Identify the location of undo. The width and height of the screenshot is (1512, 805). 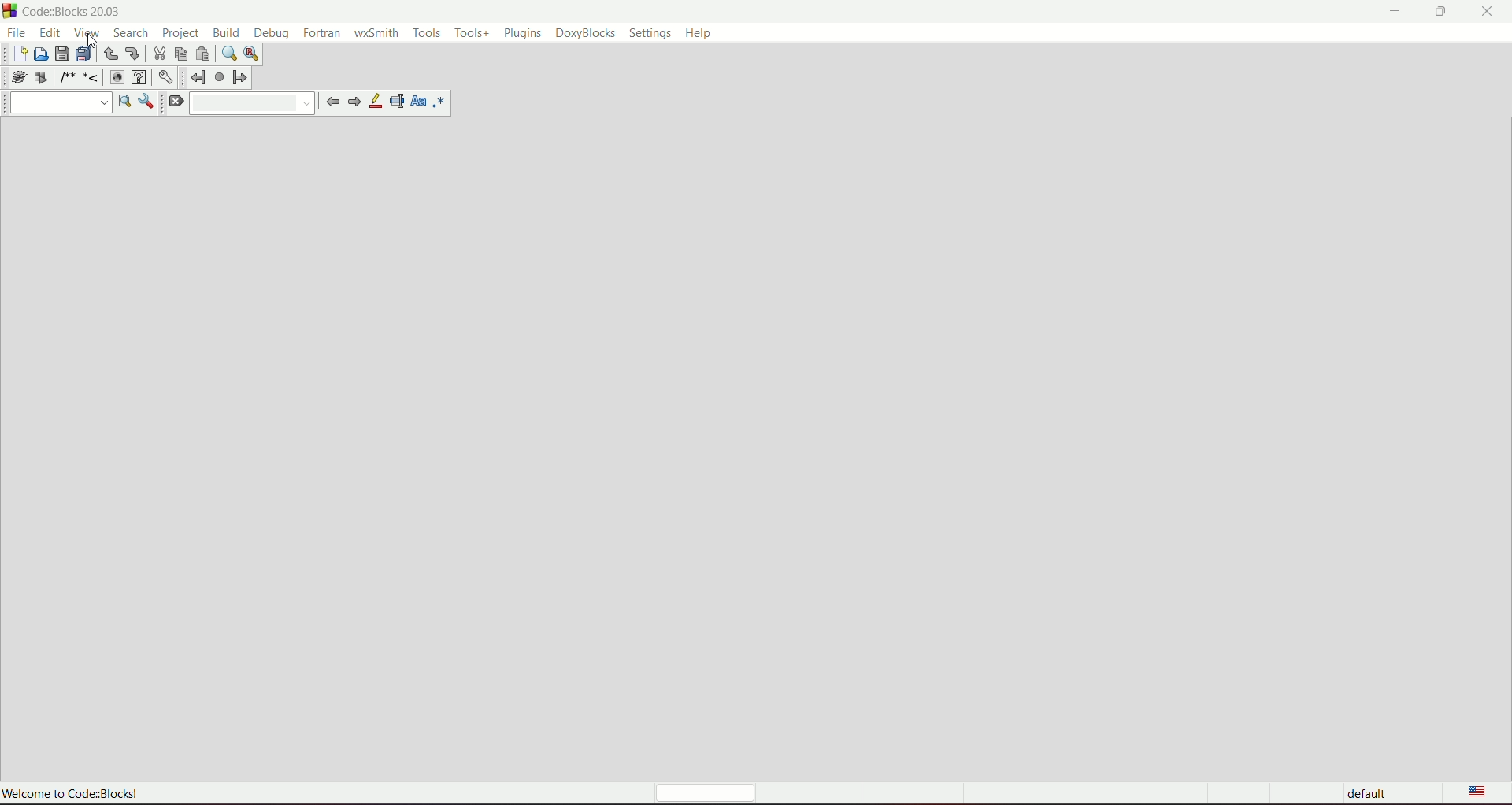
(112, 54).